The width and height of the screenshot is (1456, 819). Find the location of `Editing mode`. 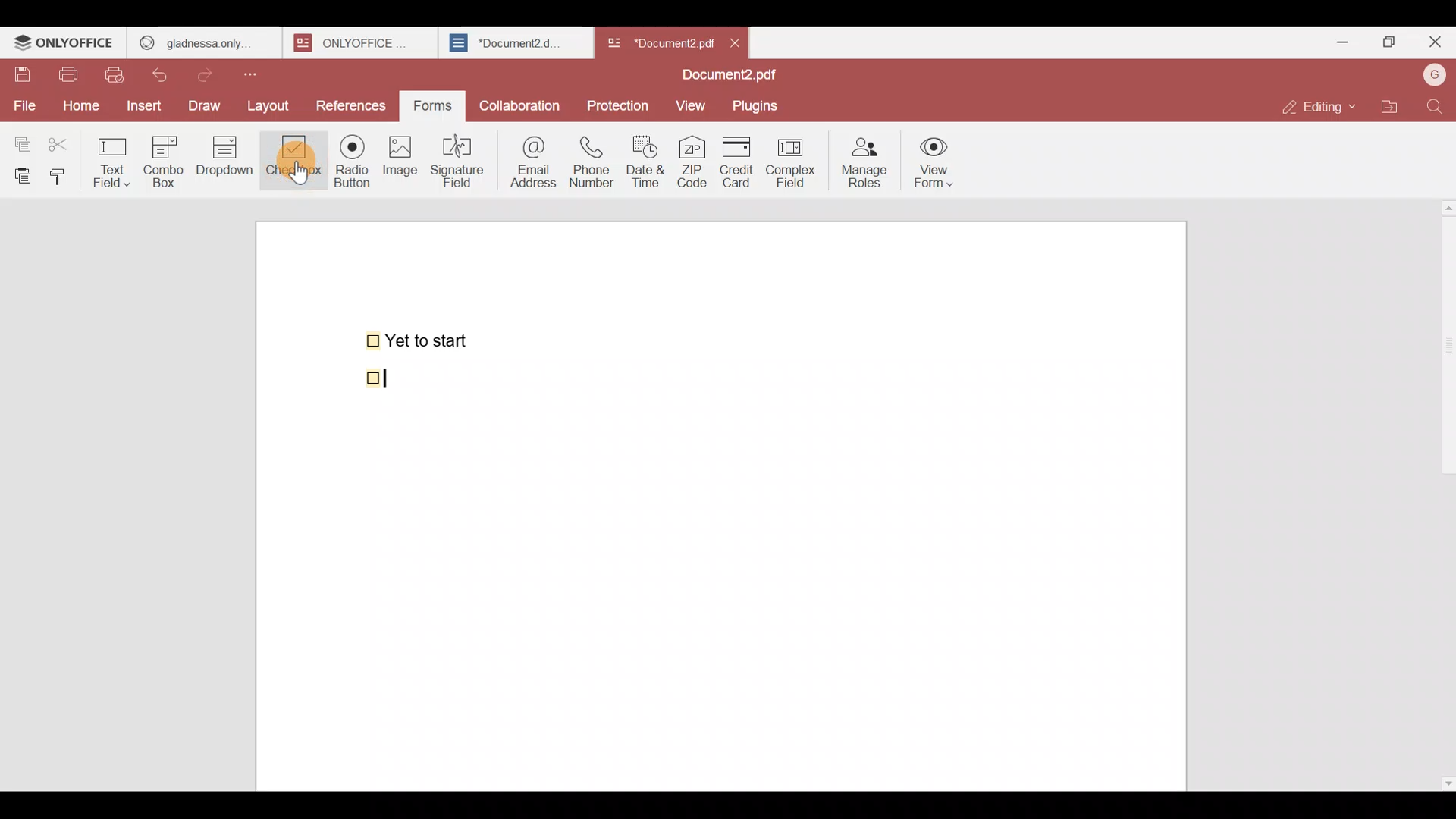

Editing mode is located at coordinates (1316, 107).